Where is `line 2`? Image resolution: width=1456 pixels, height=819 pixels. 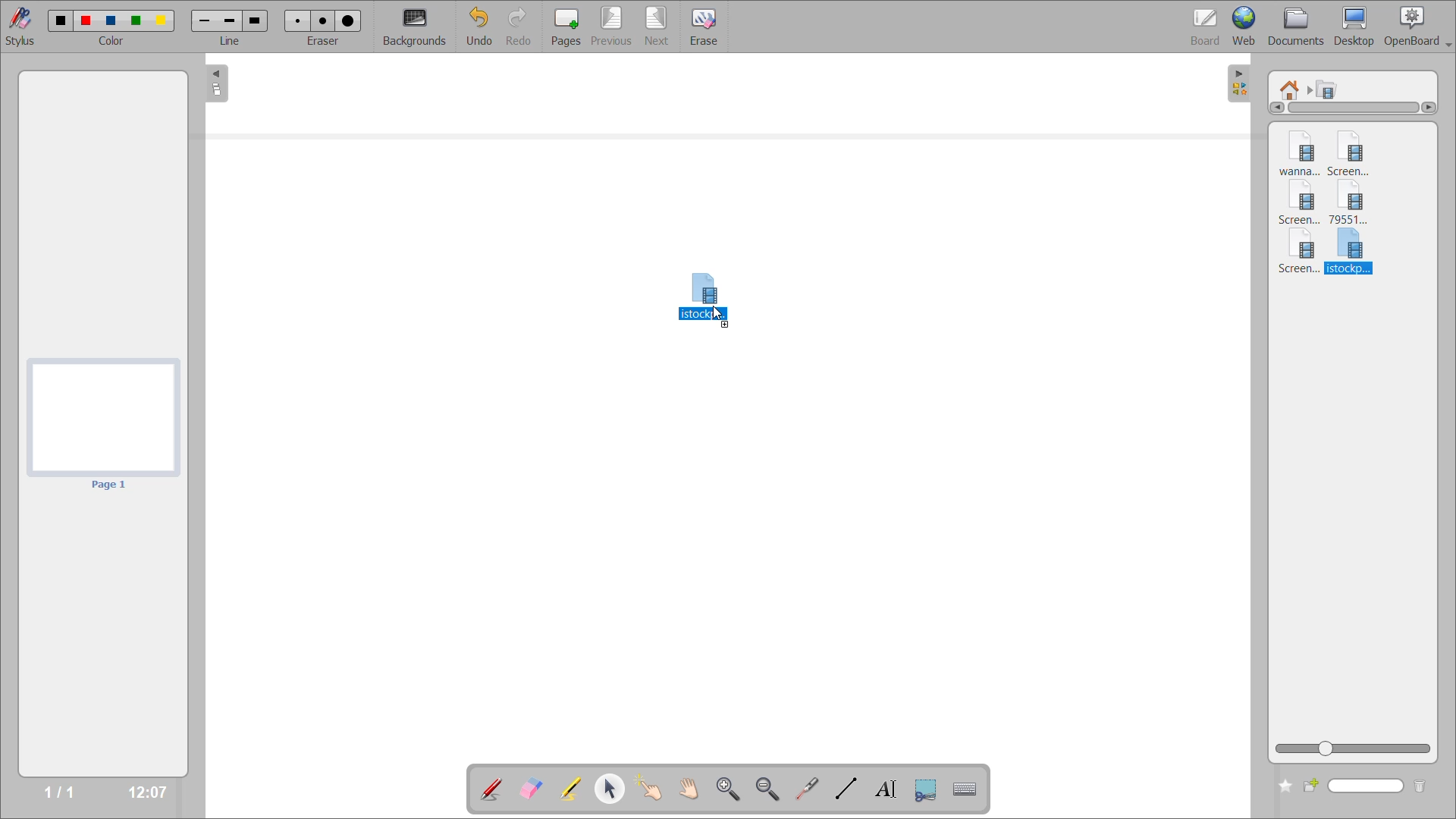 line 2 is located at coordinates (231, 20).